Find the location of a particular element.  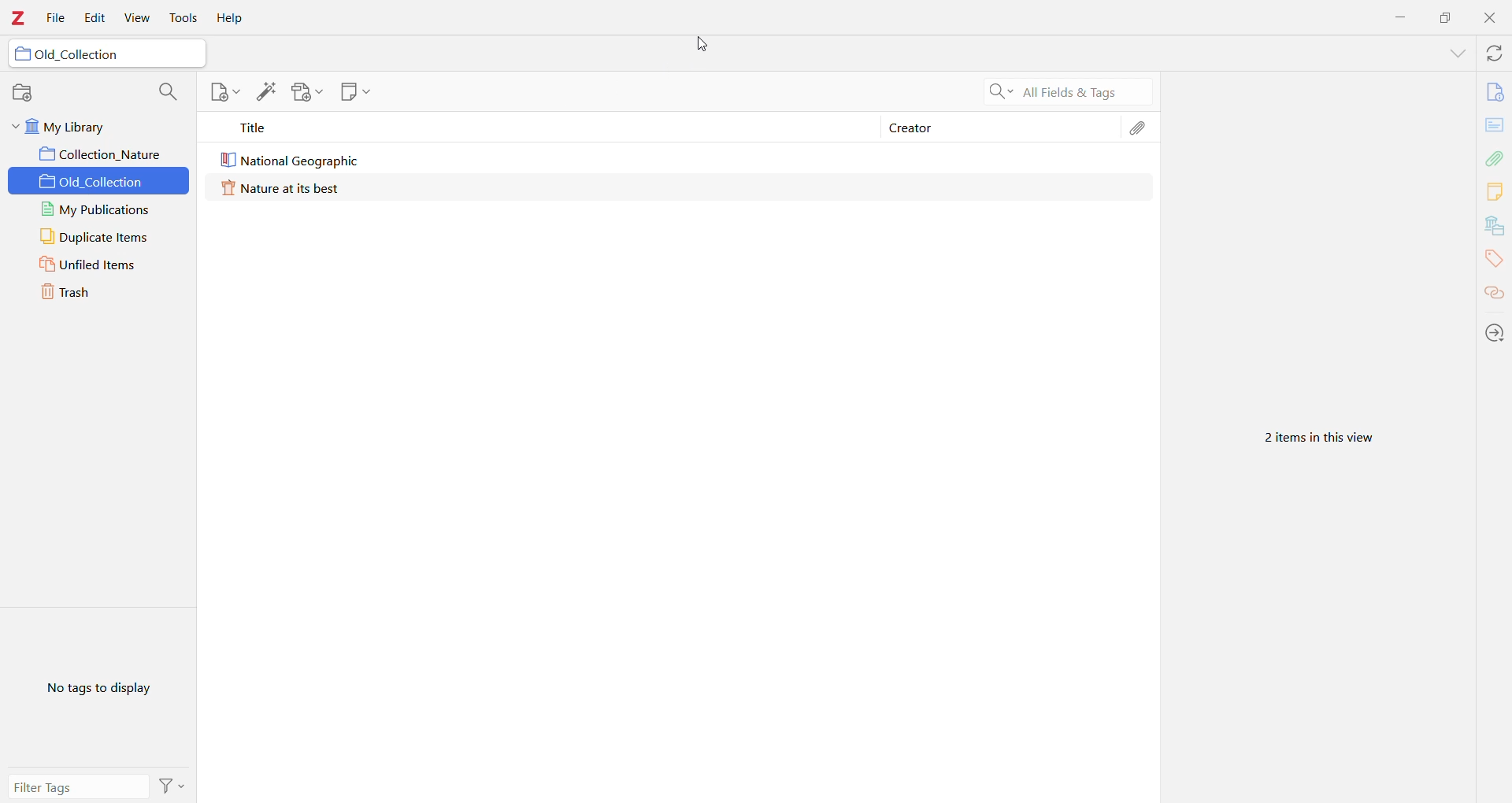

New Item is located at coordinates (222, 94).